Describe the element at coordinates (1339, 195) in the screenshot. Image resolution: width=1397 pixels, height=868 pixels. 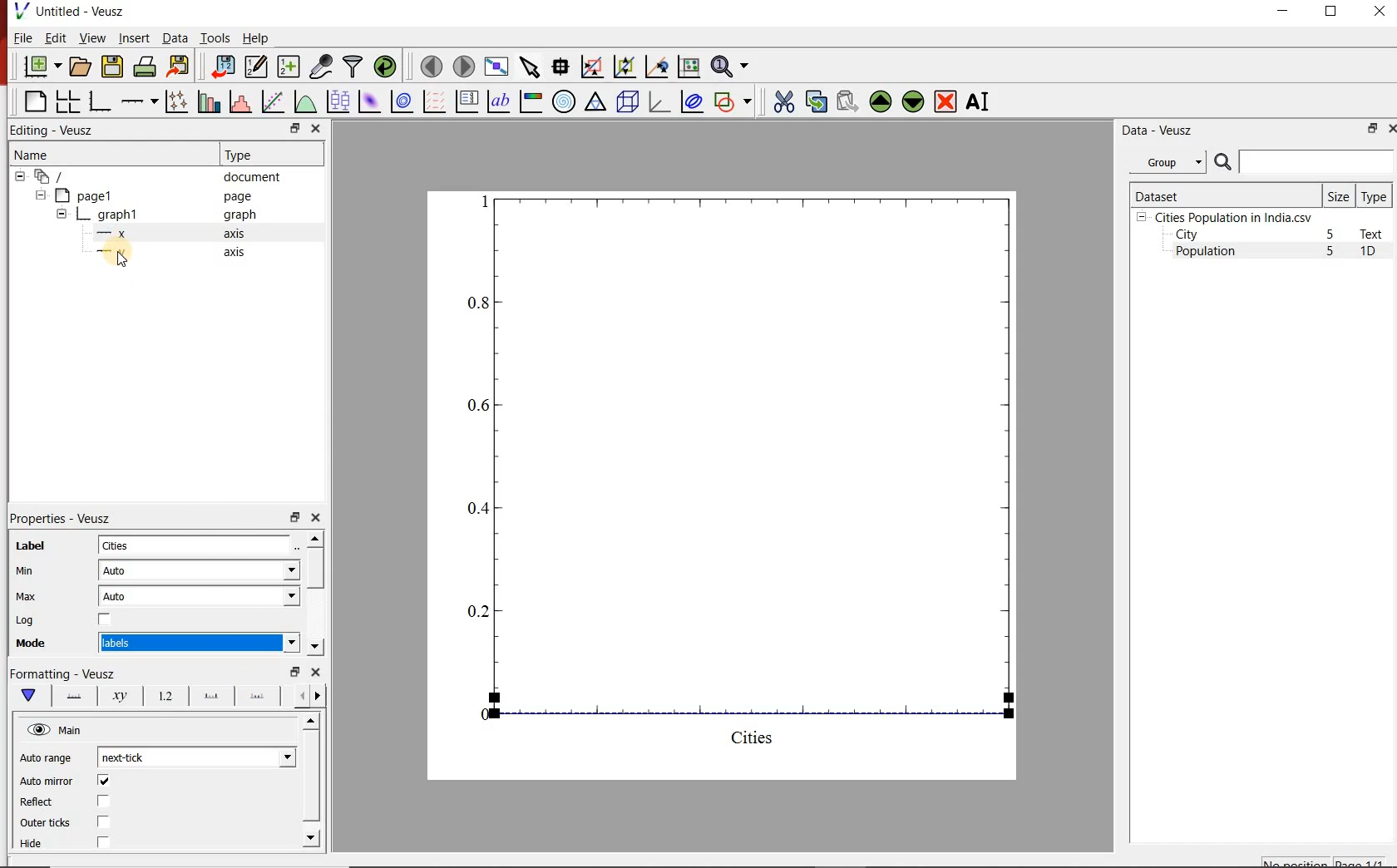
I see `Size` at that location.